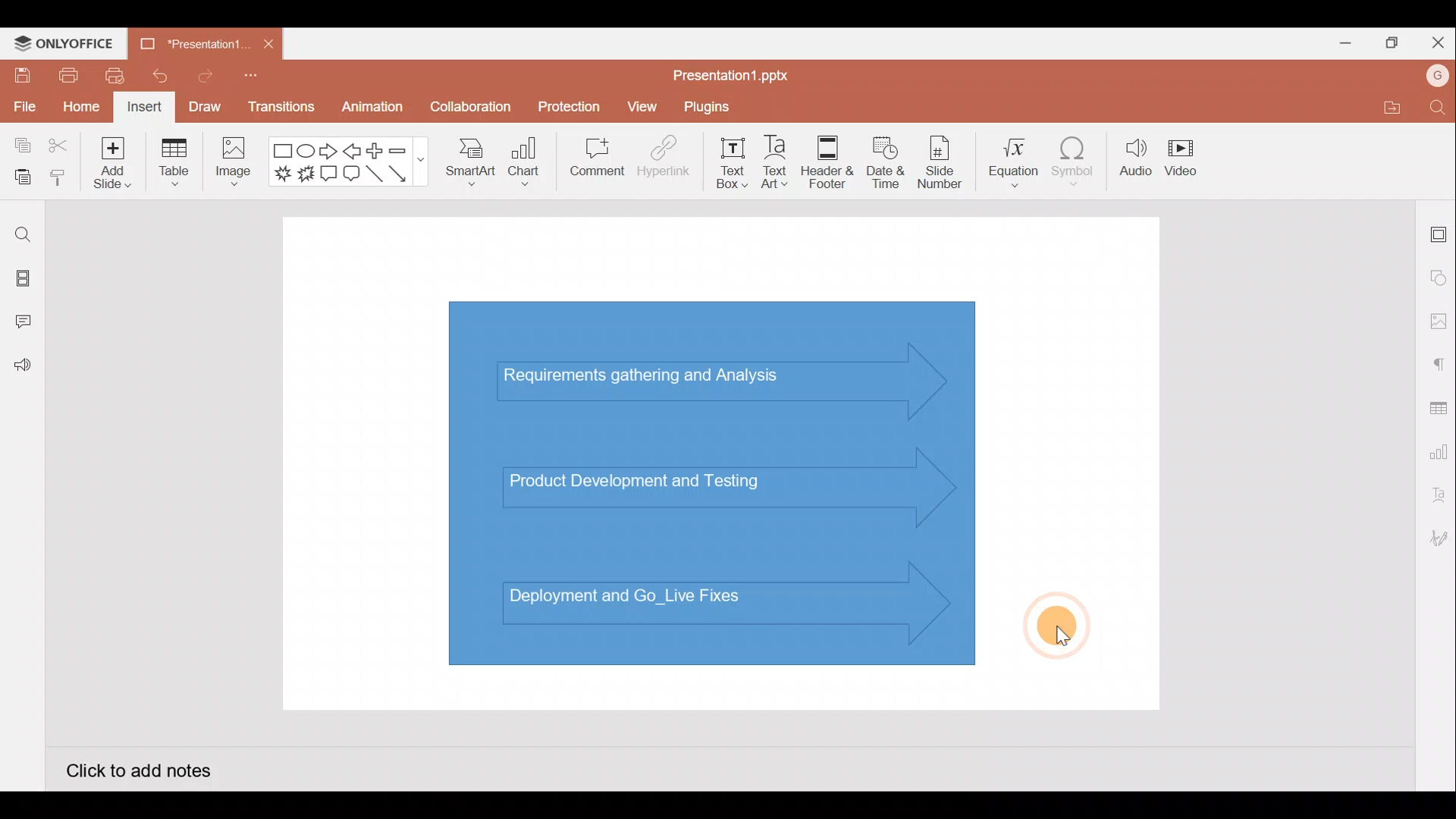  I want to click on Text Art settings, so click(1437, 495).